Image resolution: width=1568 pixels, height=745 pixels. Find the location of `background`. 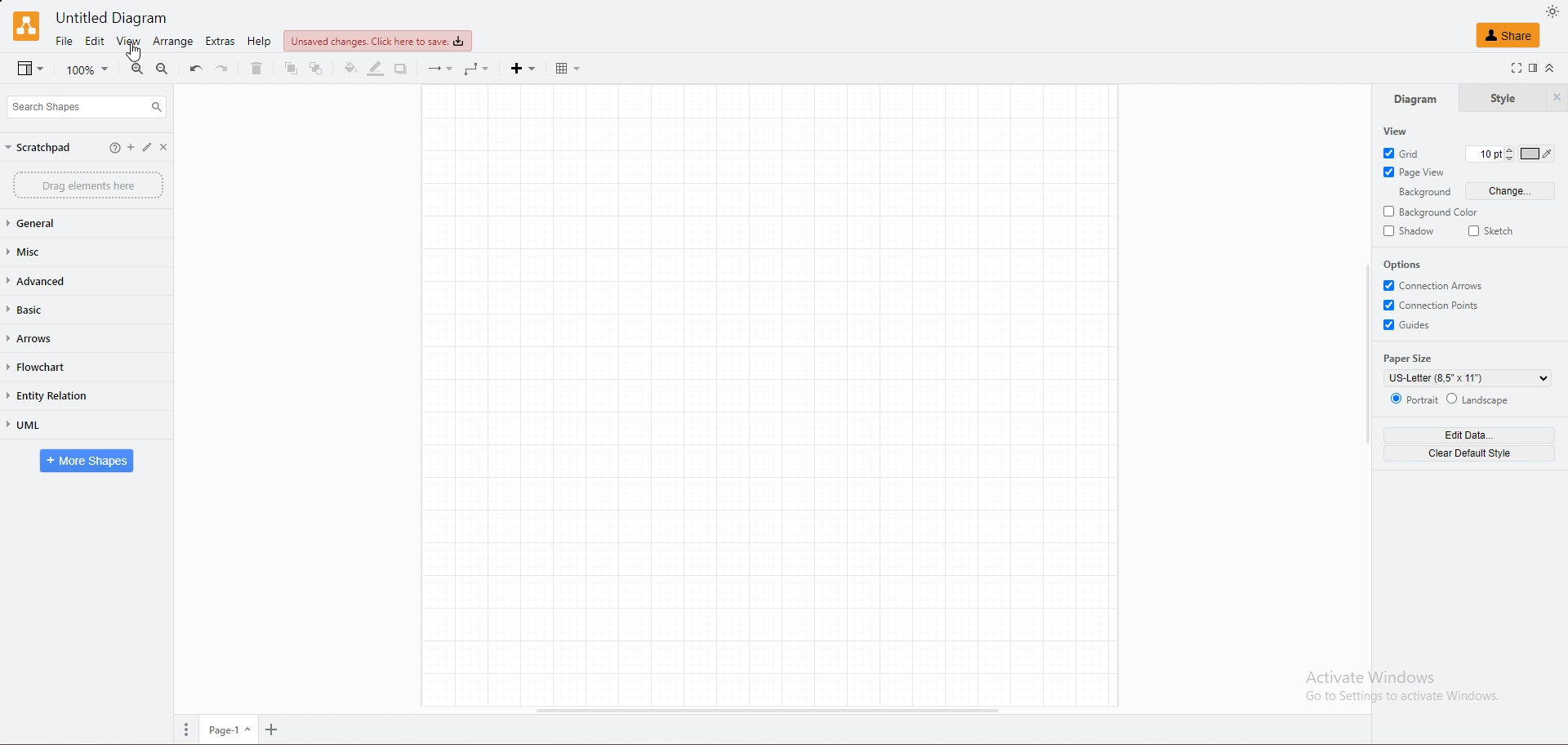

background is located at coordinates (1423, 193).